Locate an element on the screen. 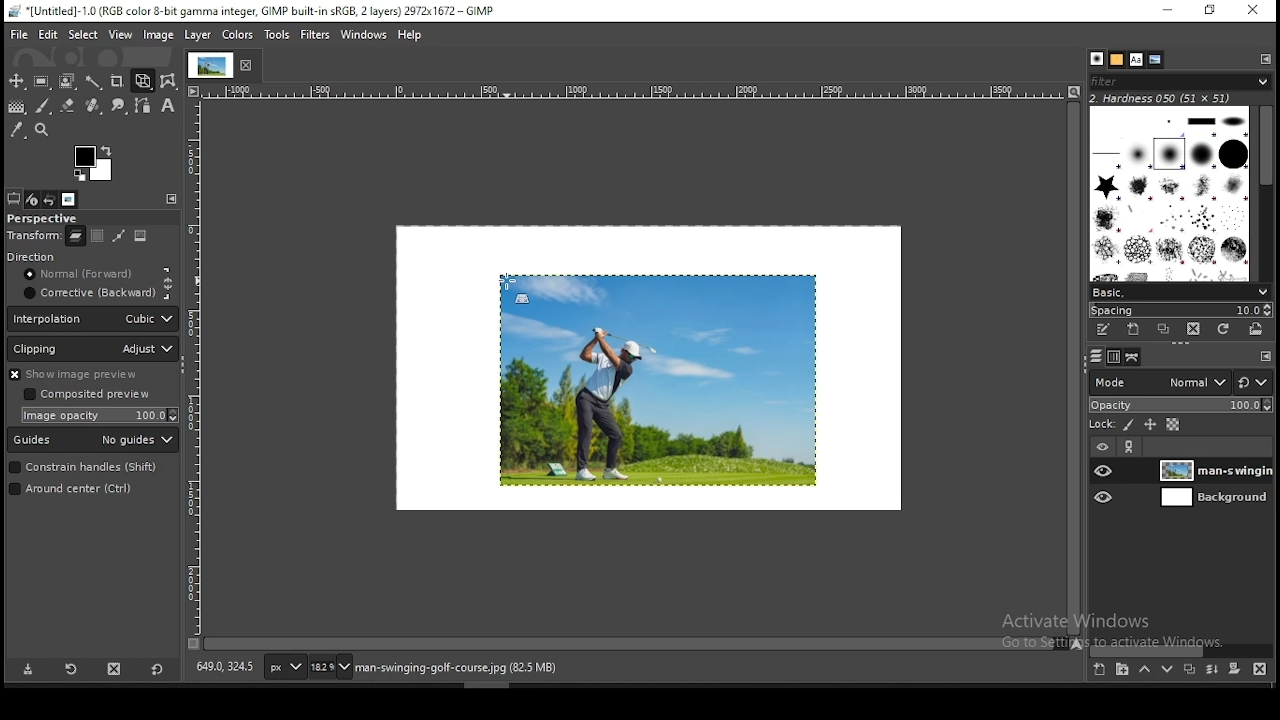 The image size is (1280, 720). fuzzy select tool is located at coordinates (95, 83).